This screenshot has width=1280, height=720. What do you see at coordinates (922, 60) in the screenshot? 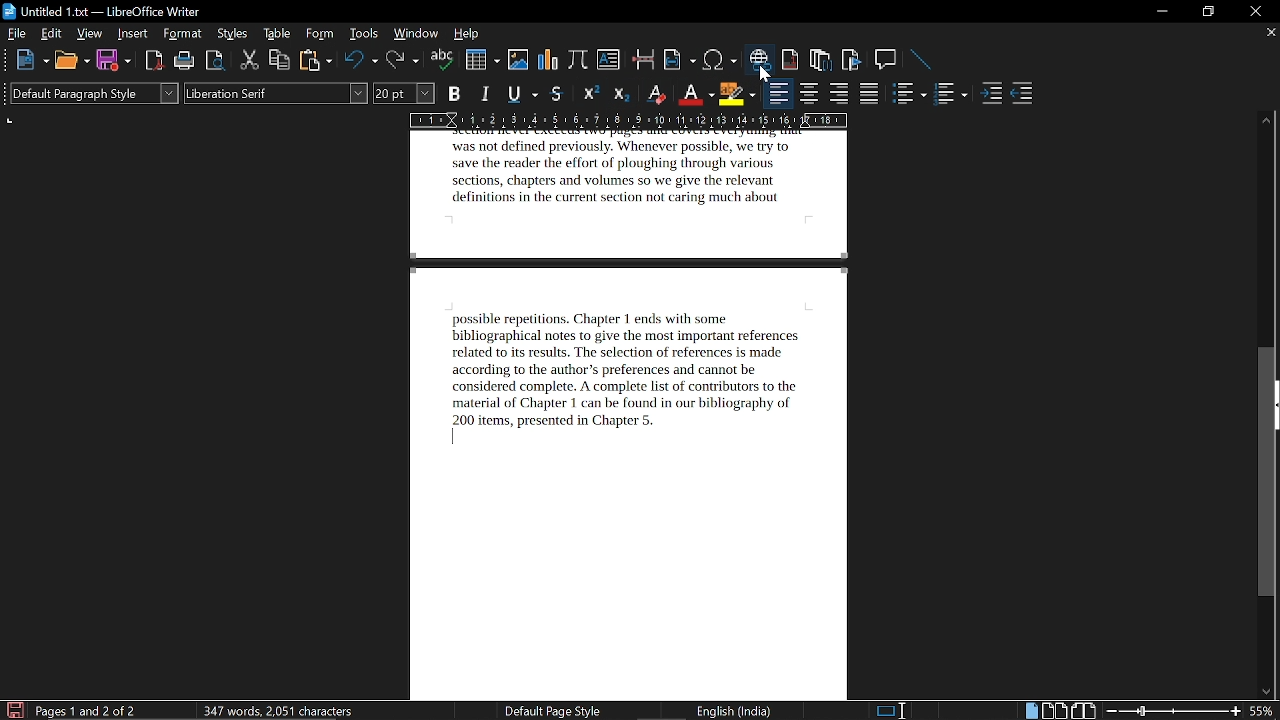
I see `line` at bounding box center [922, 60].